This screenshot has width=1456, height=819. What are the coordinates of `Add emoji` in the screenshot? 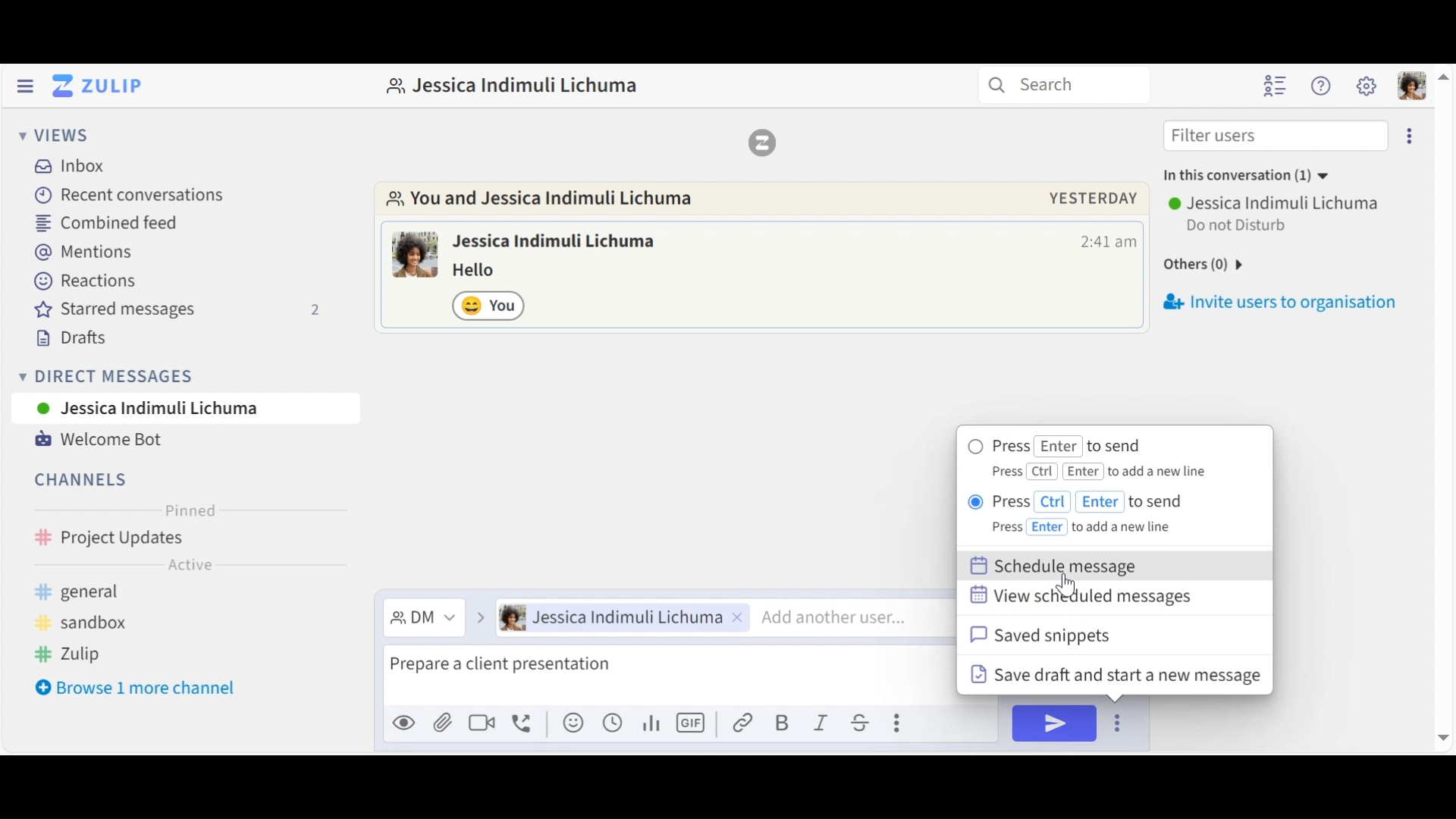 It's located at (572, 724).